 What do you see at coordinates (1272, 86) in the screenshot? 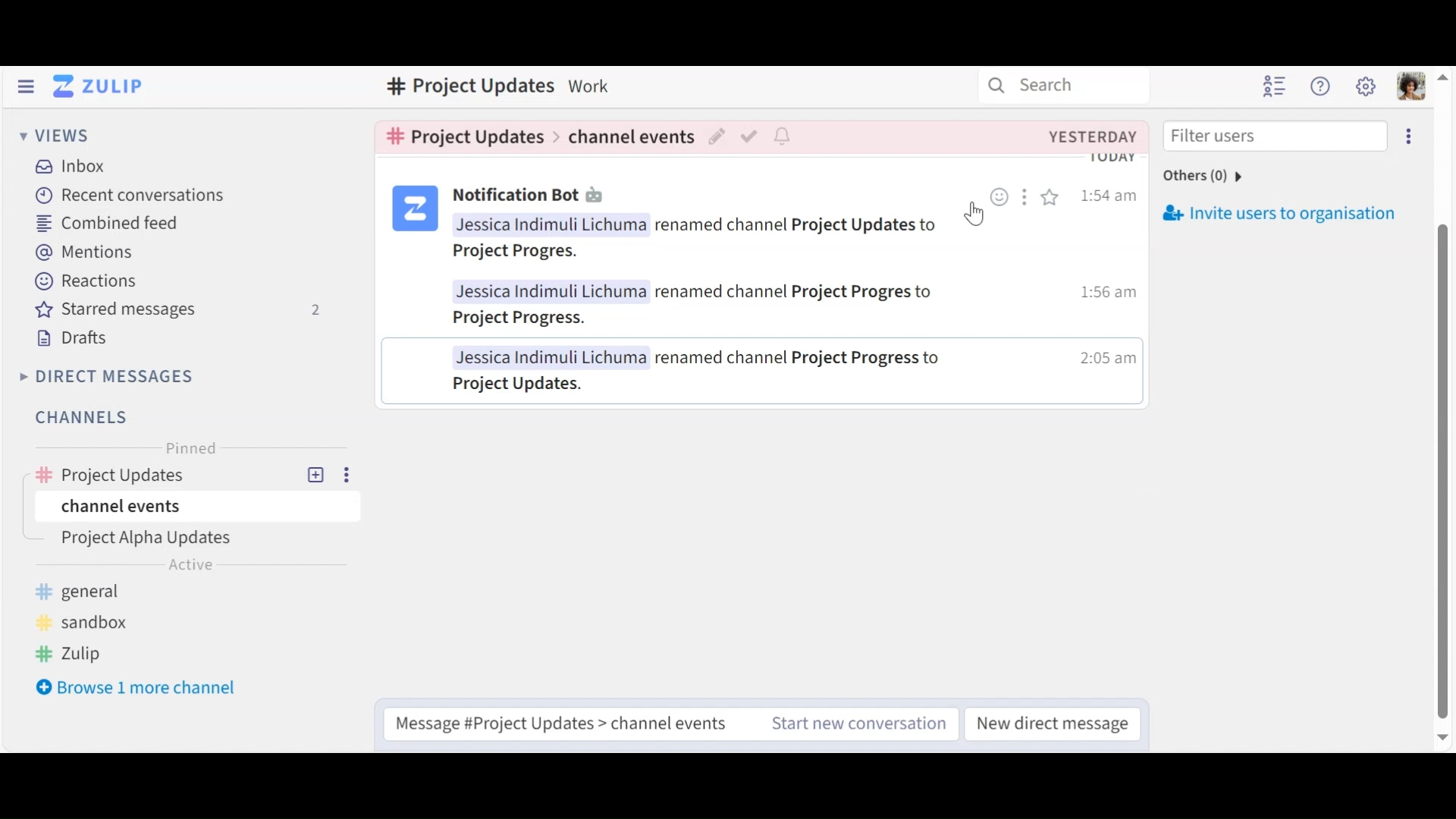
I see `Hide user list` at bounding box center [1272, 86].